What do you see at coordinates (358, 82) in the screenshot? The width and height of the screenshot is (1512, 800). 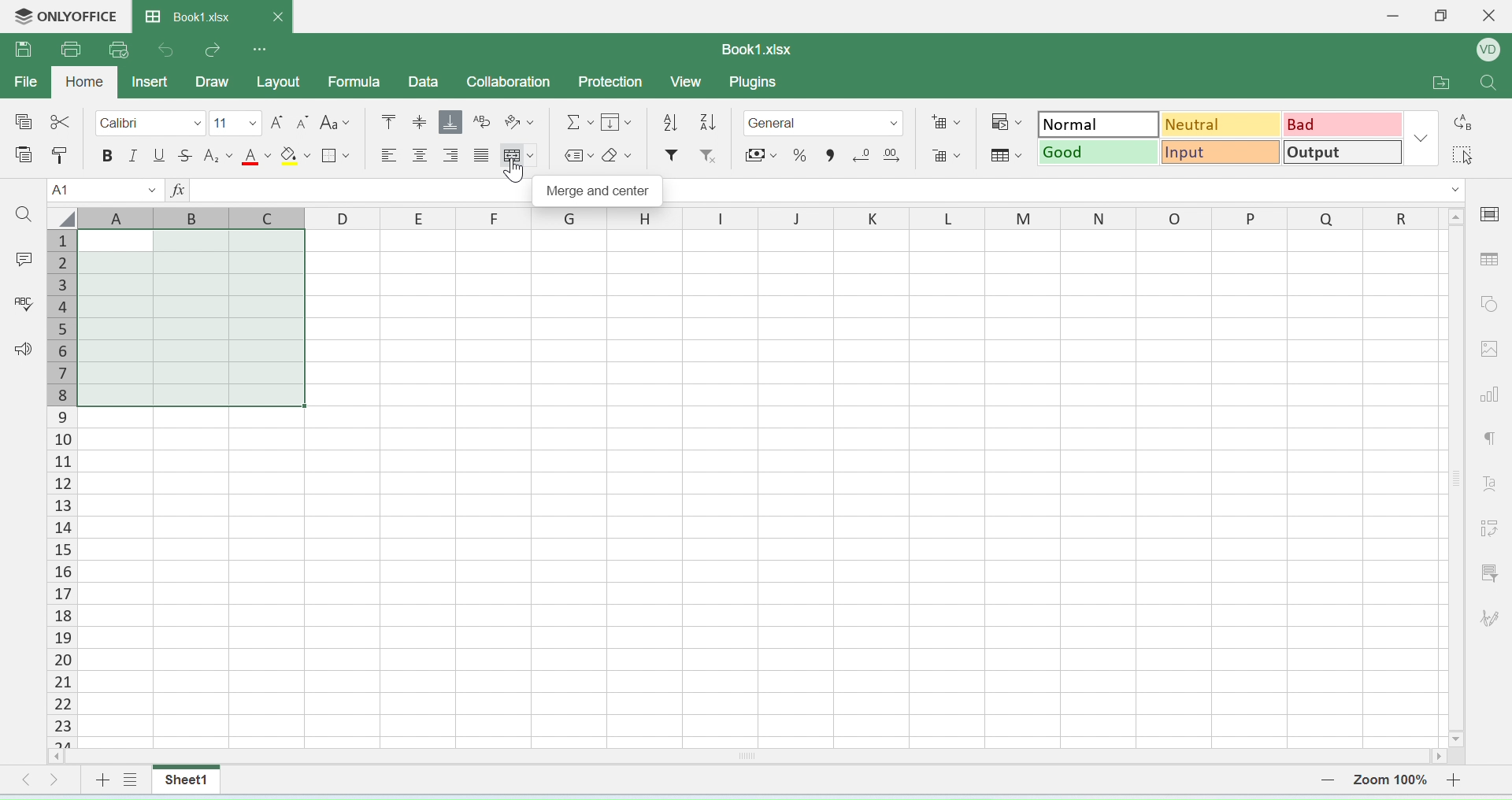 I see `formula` at bounding box center [358, 82].